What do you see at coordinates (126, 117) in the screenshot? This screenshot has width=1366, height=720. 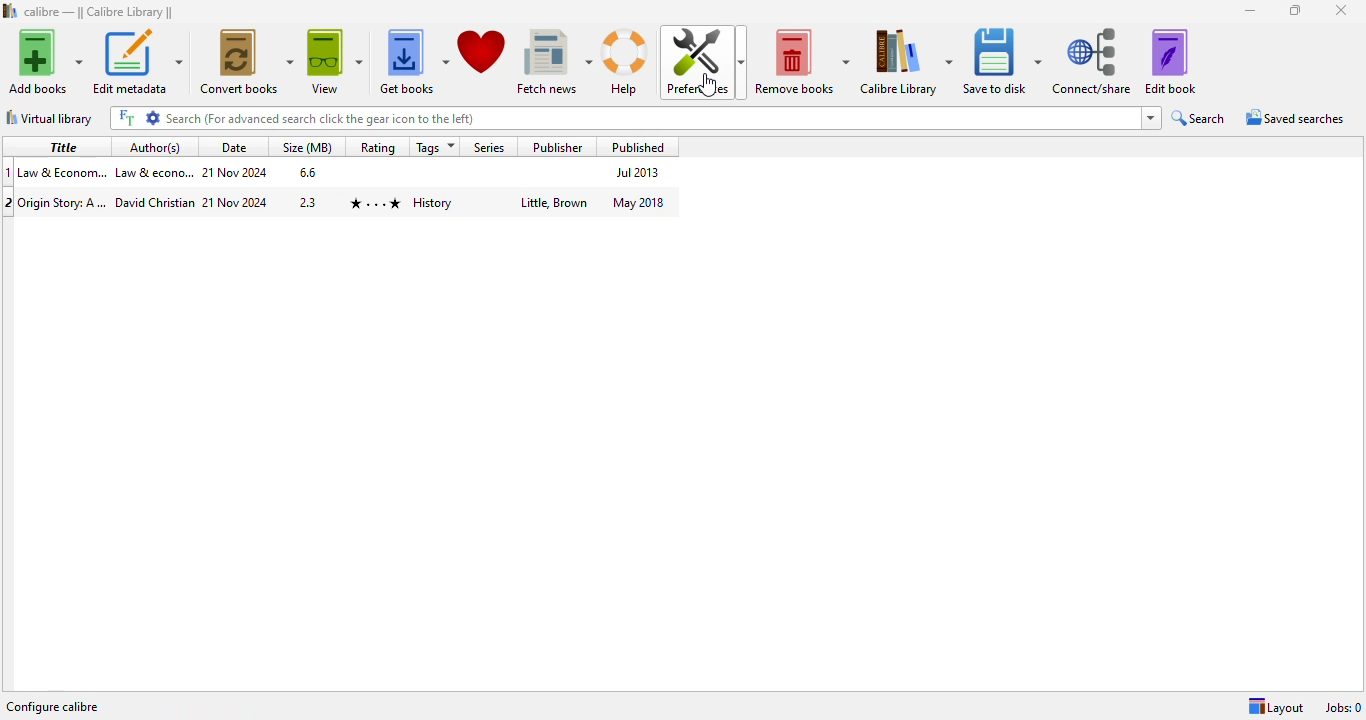 I see `full text search` at bounding box center [126, 117].